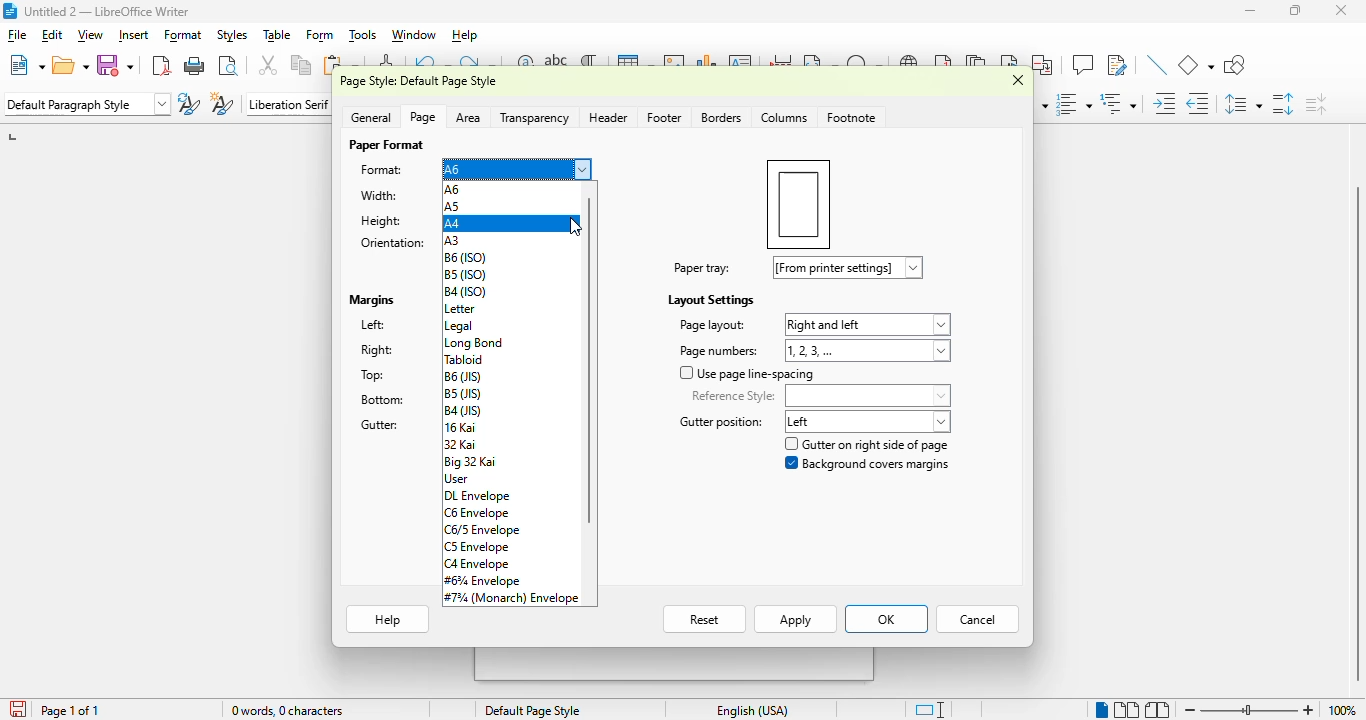 The width and height of the screenshot is (1366, 720). I want to click on copy, so click(301, 65).